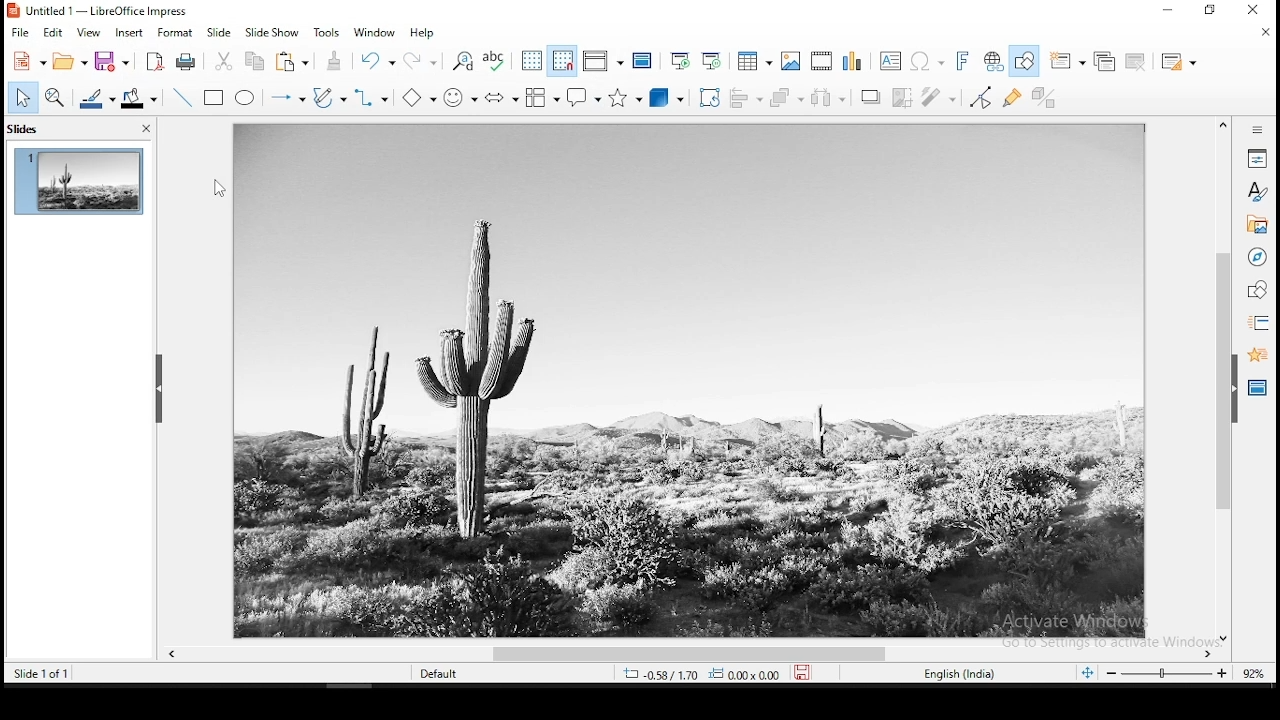 This screenshot has height=720, width=1280. What do you see at coordinates (666, 99) in the screenshot?
I see `3D objects` at bounding box center [666, 99].